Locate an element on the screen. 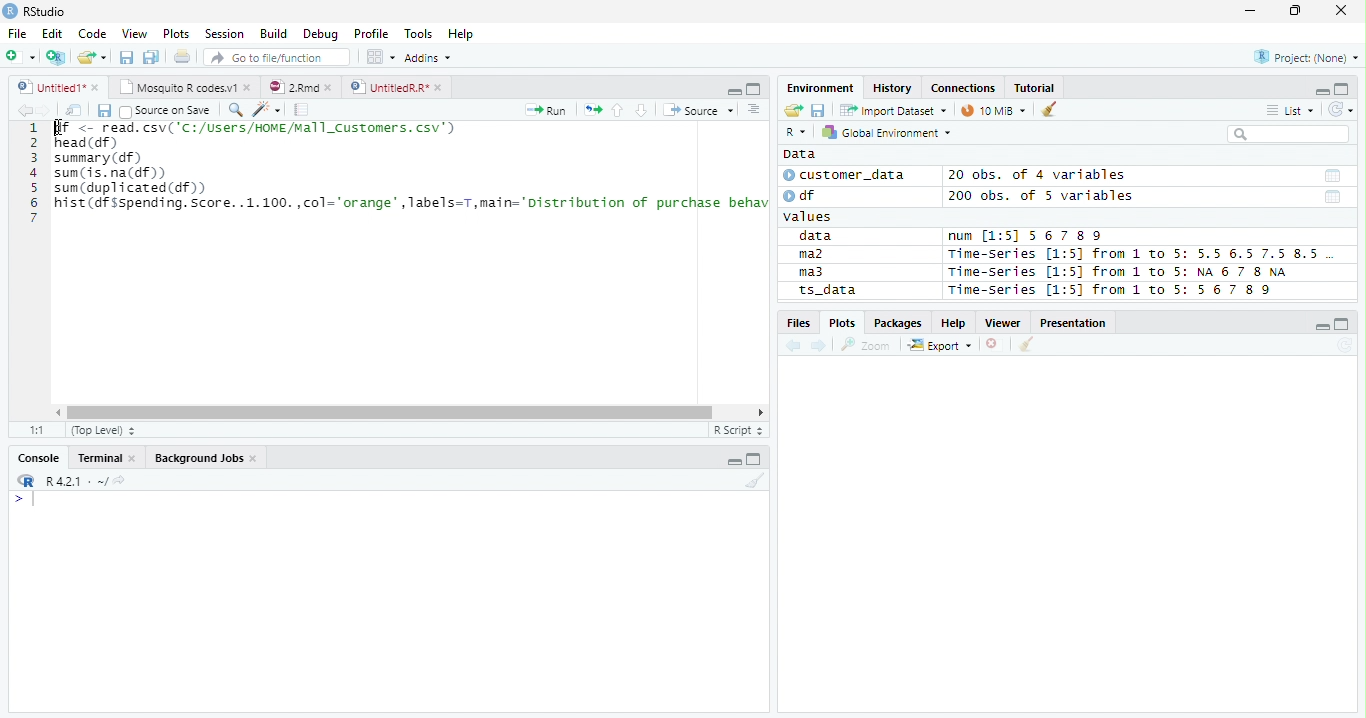  Show document outline is located at coordinates (752, 109).